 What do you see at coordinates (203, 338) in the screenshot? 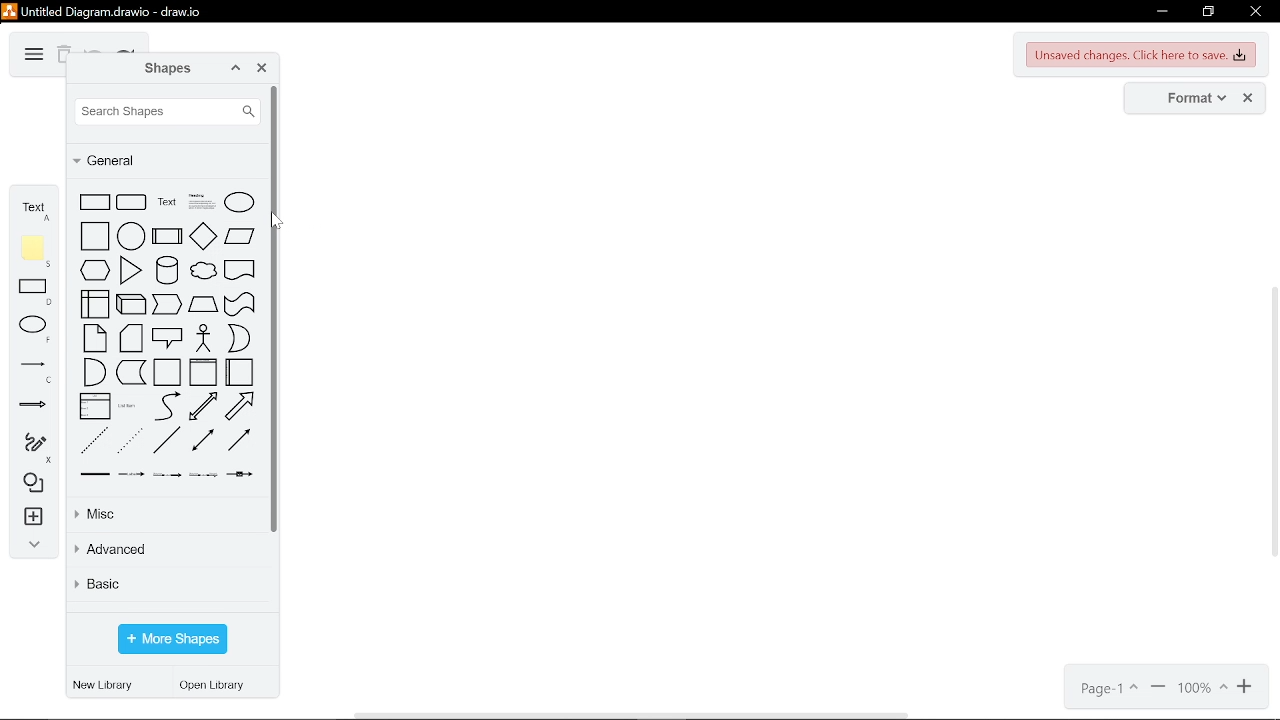
I see `actor` at bounding box center [203, 338].